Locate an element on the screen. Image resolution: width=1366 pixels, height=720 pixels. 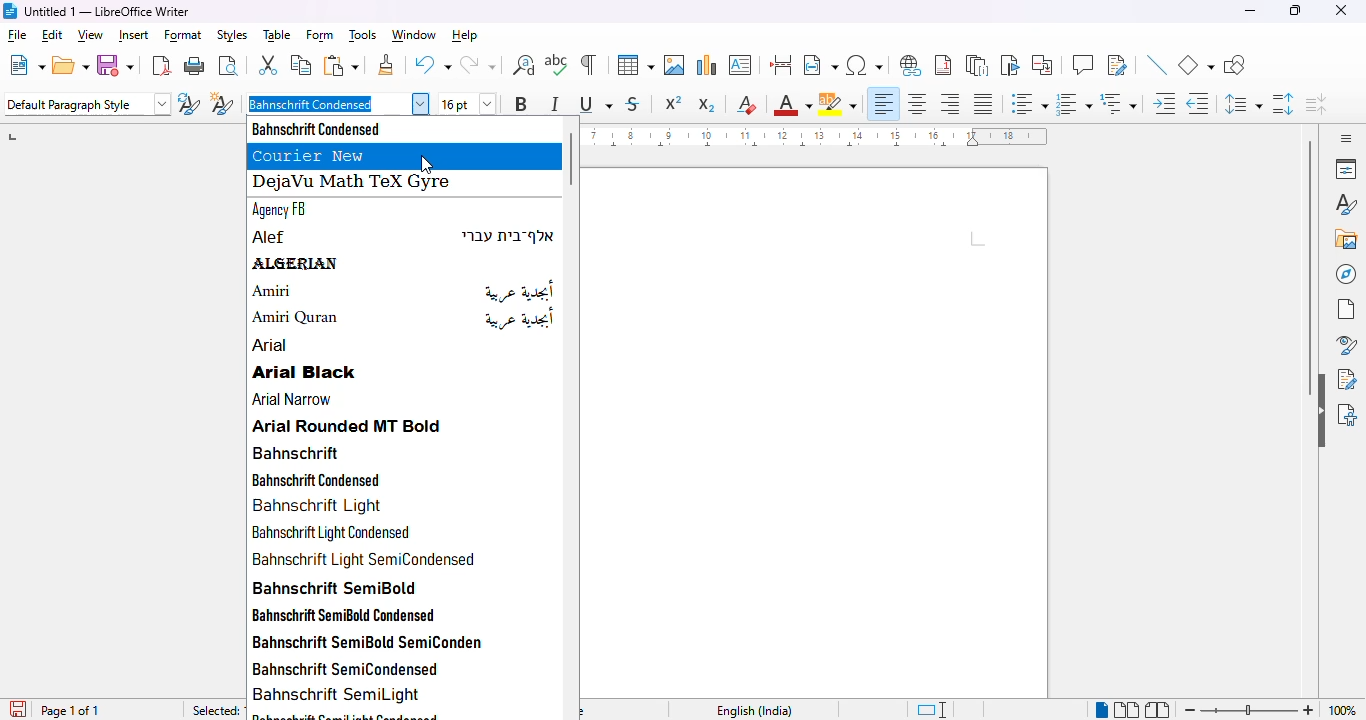
hide is located at coordinates (1320, 411).